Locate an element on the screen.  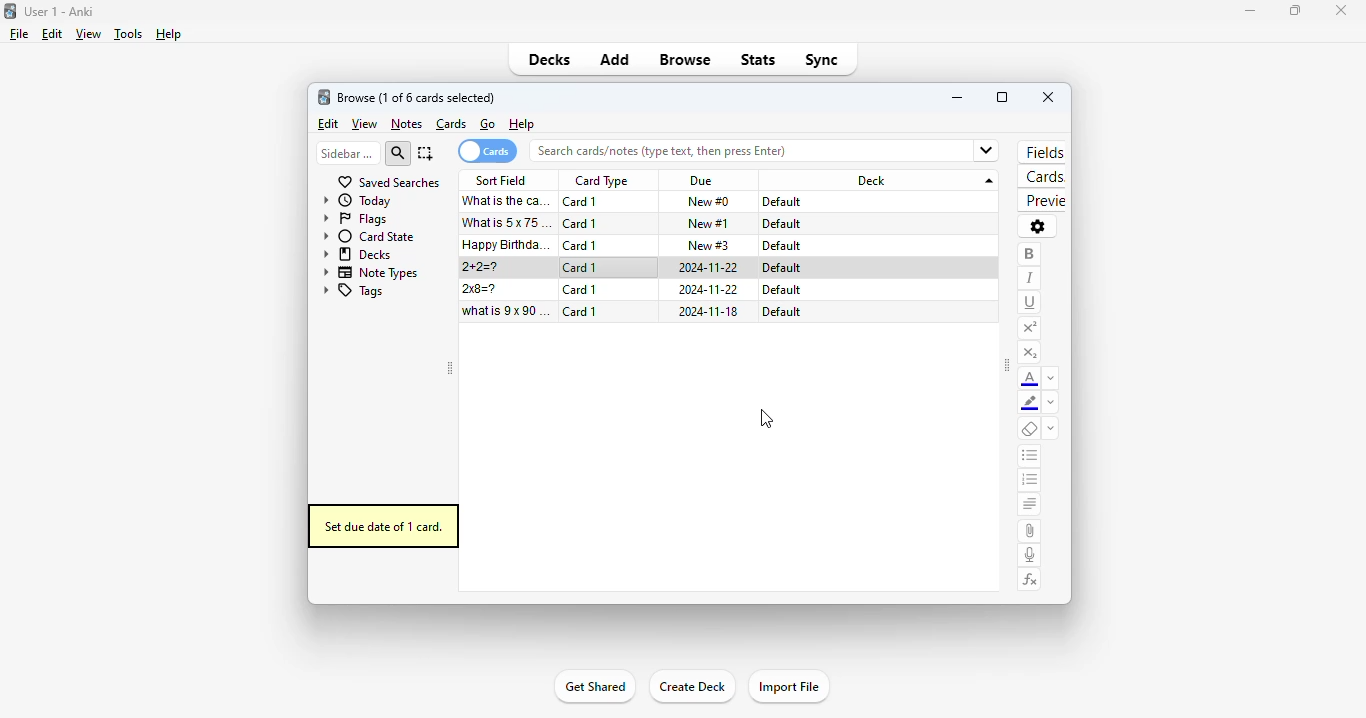
change color is located at coordinates (1051, 404).